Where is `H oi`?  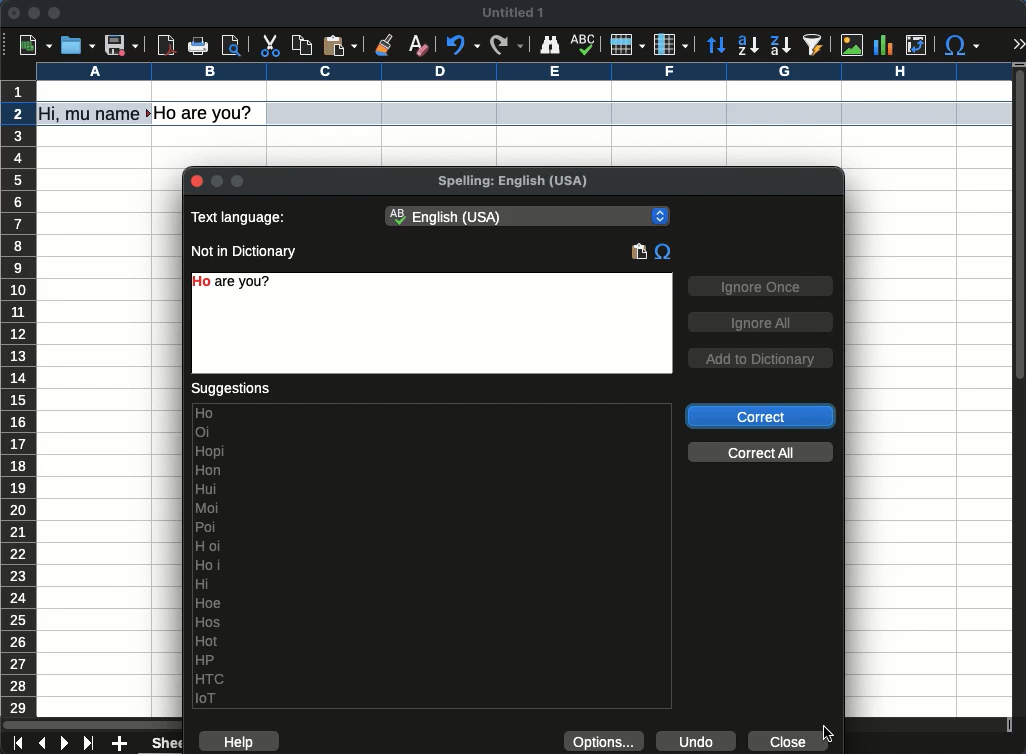
H oi is located at coordinates (209, 546).